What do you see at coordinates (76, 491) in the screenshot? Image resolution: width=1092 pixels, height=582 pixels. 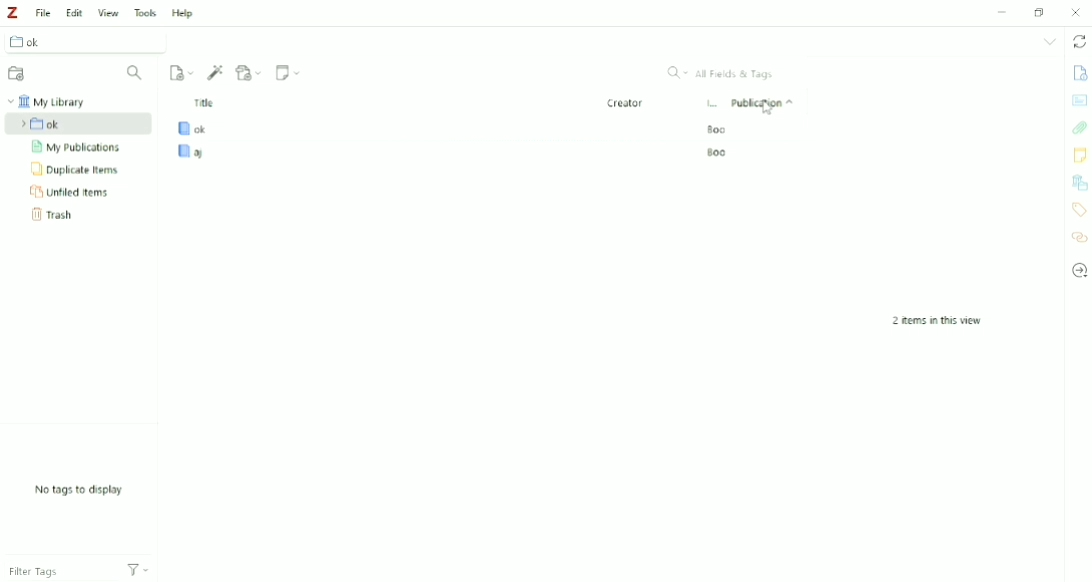 I see `No tags to display` at bounding box center [76, 491].